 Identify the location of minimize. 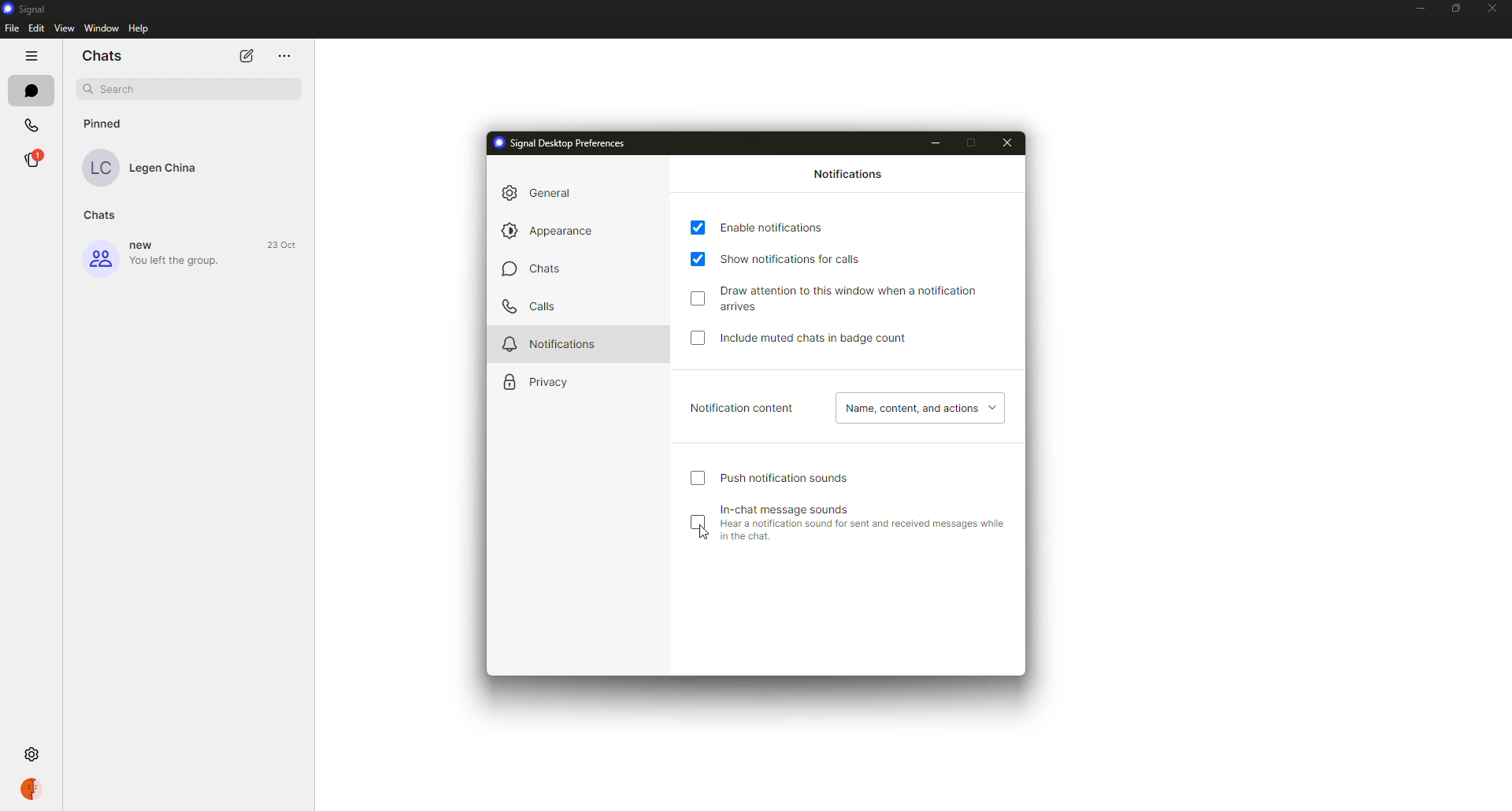
(1421, 9).